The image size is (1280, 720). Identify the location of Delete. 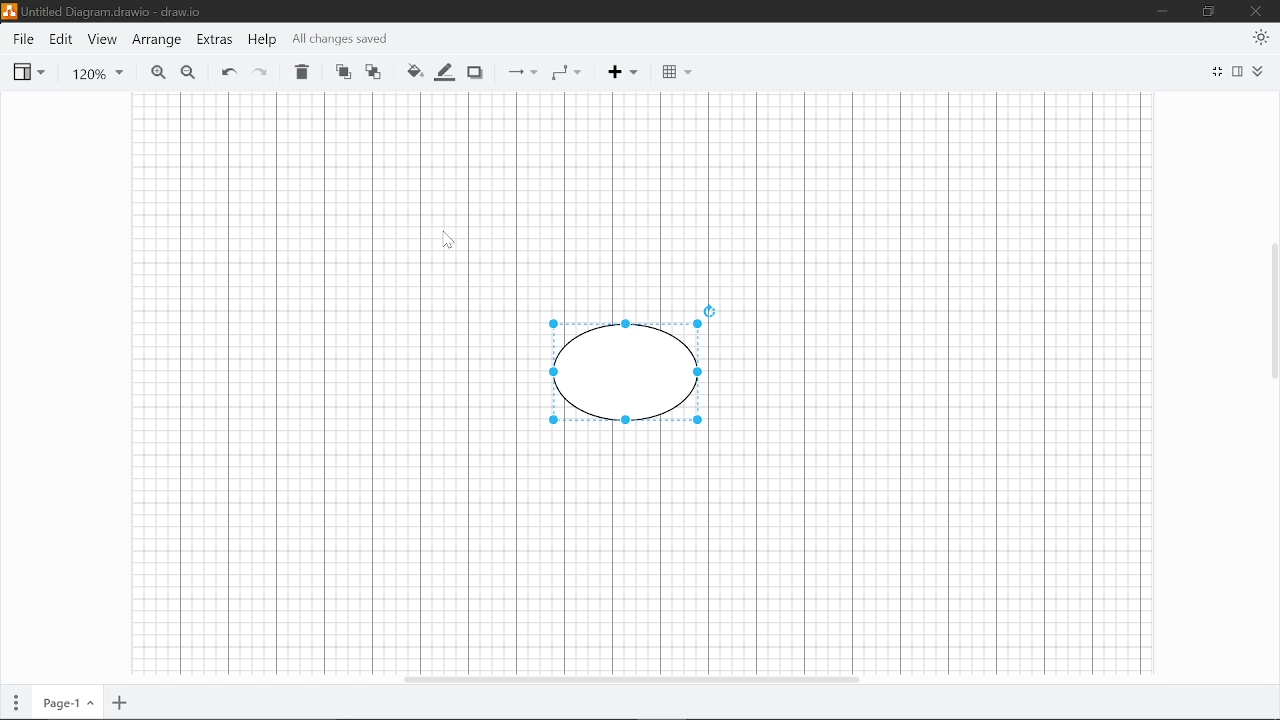
(299, 71).